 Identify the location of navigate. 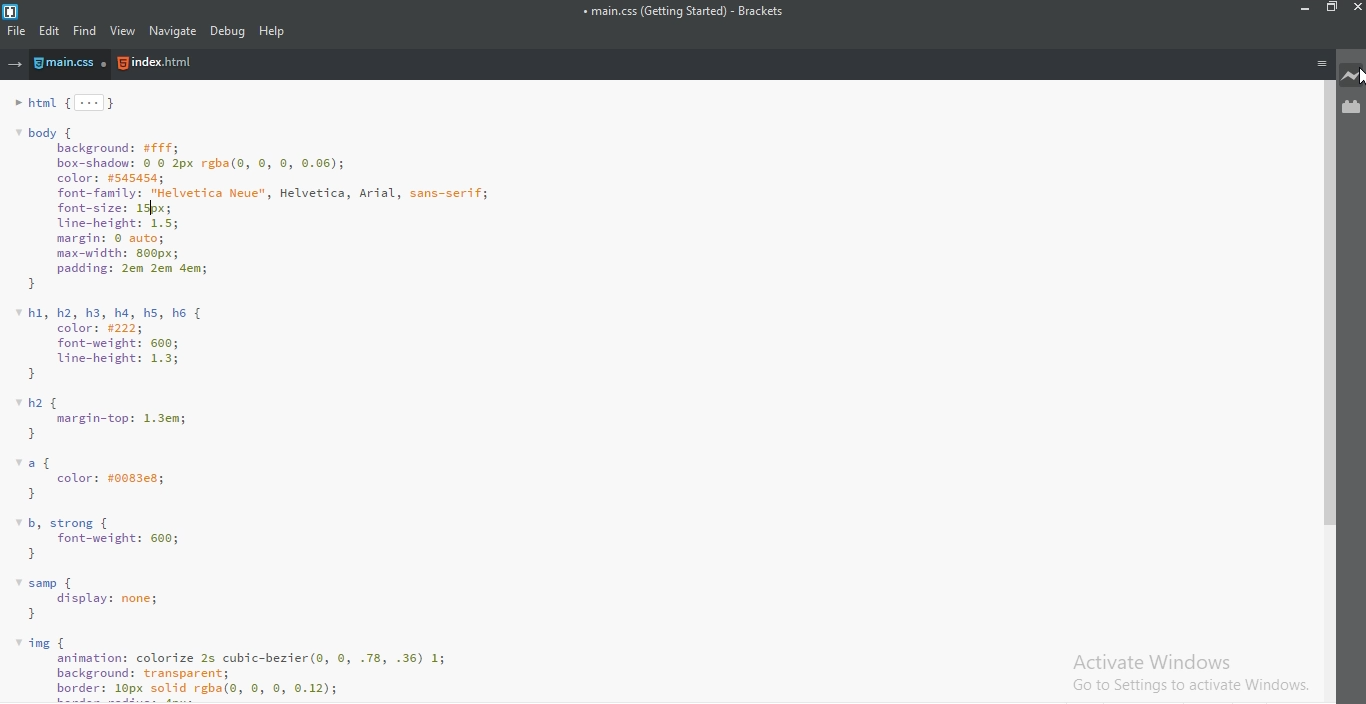
(171, 31).